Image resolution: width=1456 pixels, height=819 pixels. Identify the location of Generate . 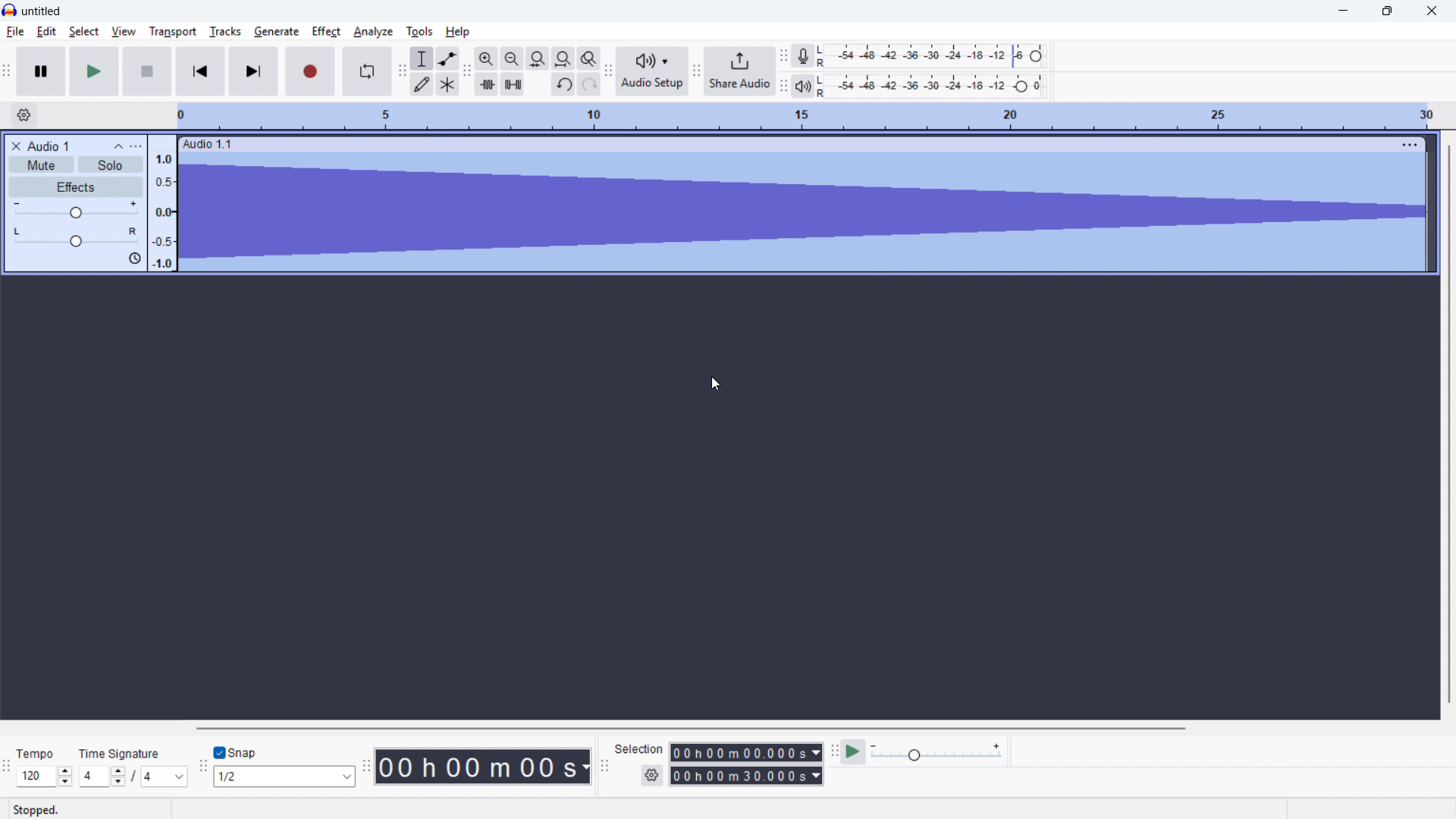
(276, 31).